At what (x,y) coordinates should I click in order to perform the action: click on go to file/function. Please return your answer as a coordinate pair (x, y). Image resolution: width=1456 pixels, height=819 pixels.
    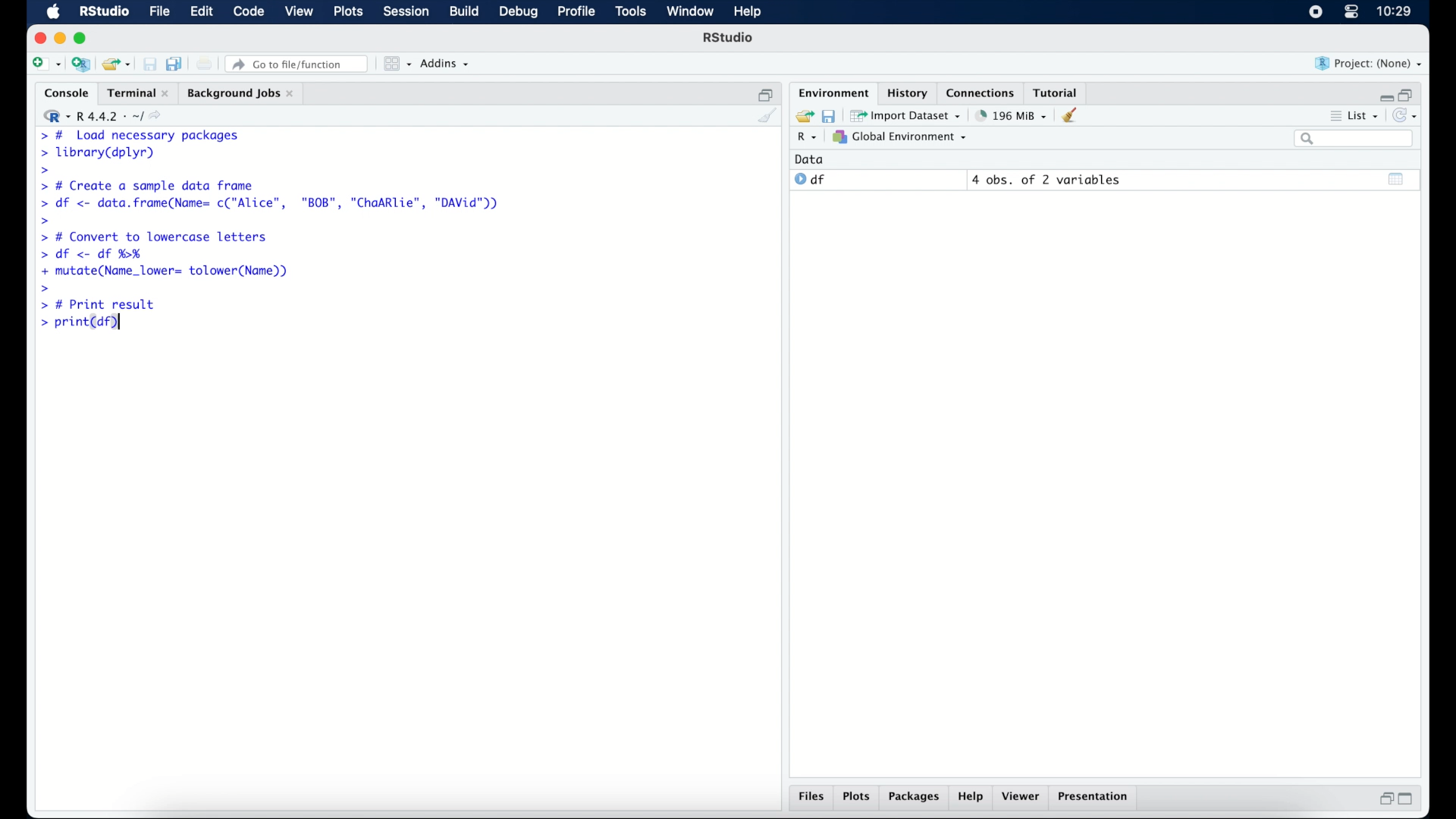
    Looking at the image, I should click on (297, 64).